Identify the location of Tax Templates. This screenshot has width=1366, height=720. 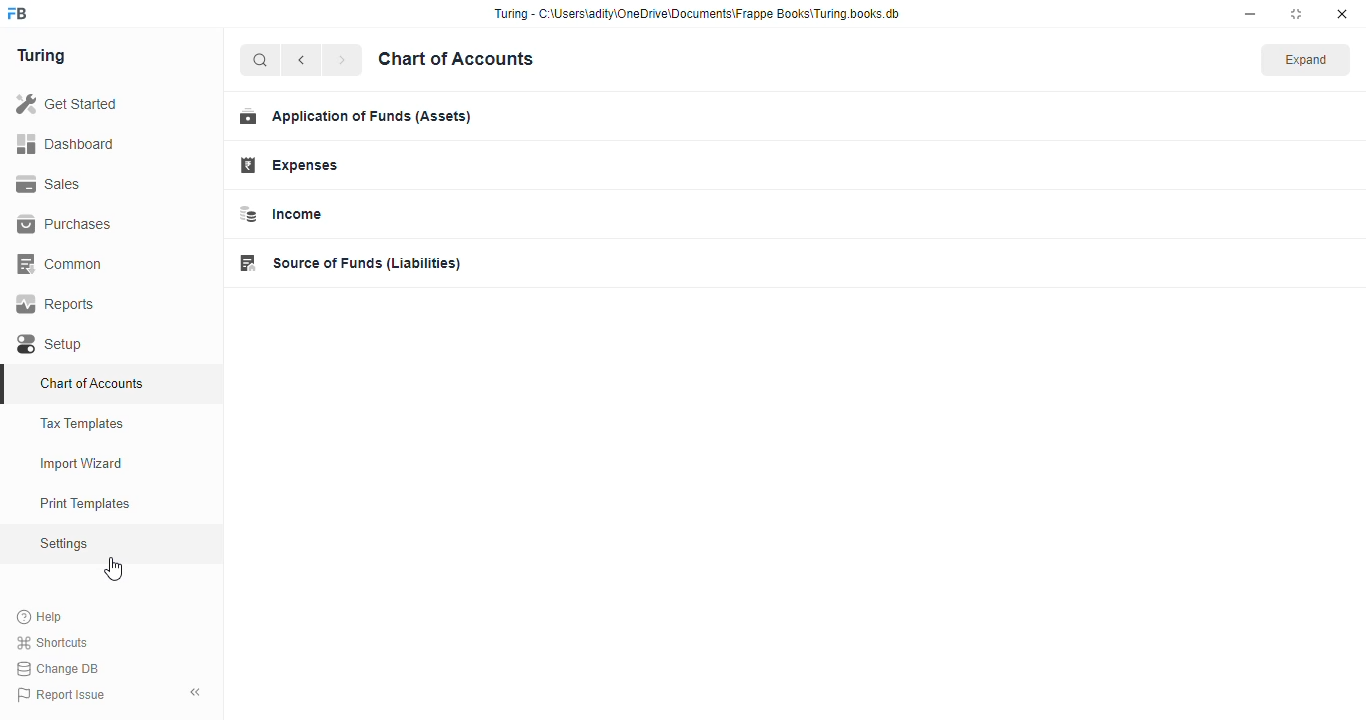
(92, 421).